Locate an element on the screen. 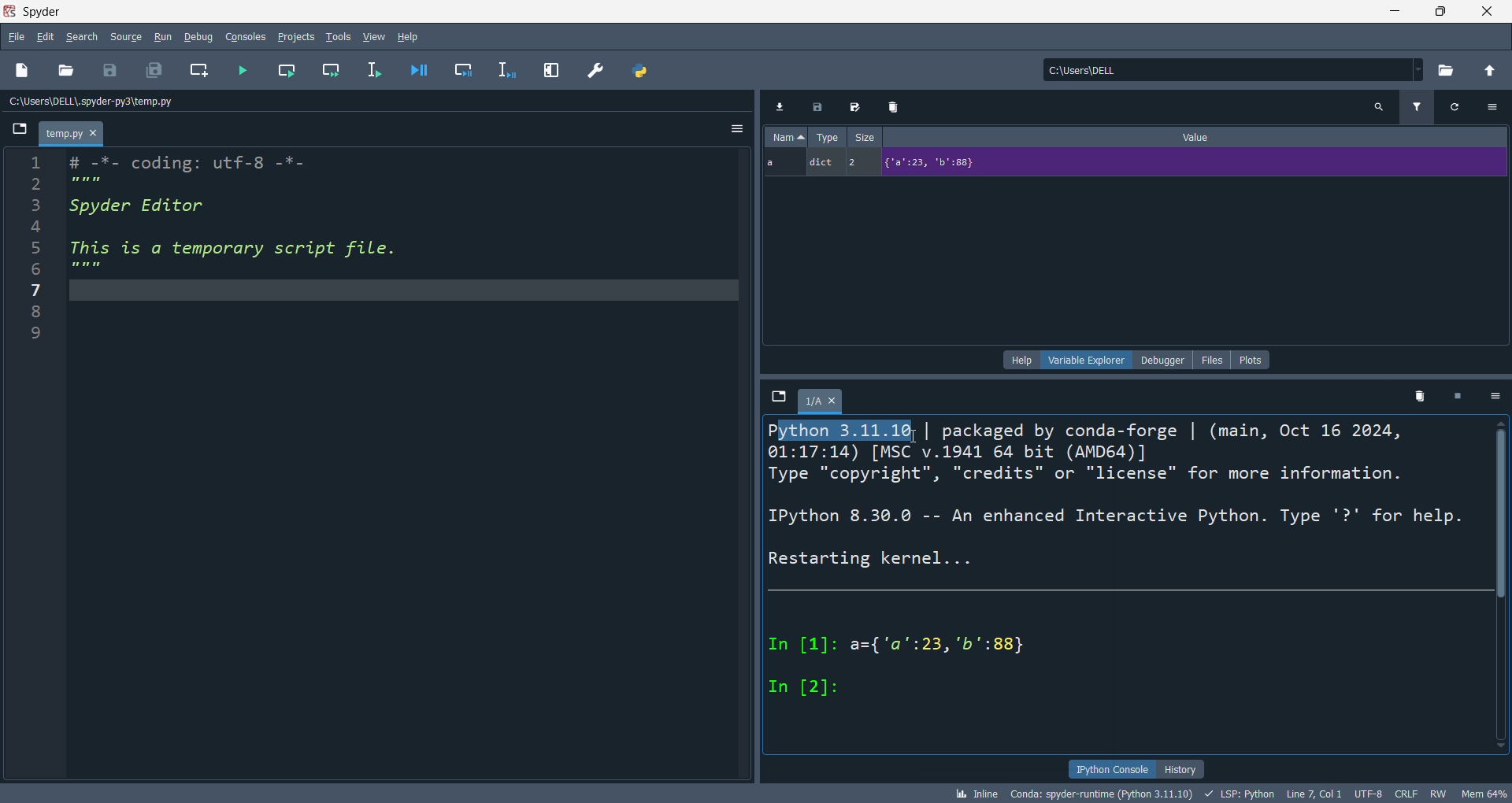  a, dict, 2, {'a':23, 'b': 88} is located at coordinates (1131, 164).